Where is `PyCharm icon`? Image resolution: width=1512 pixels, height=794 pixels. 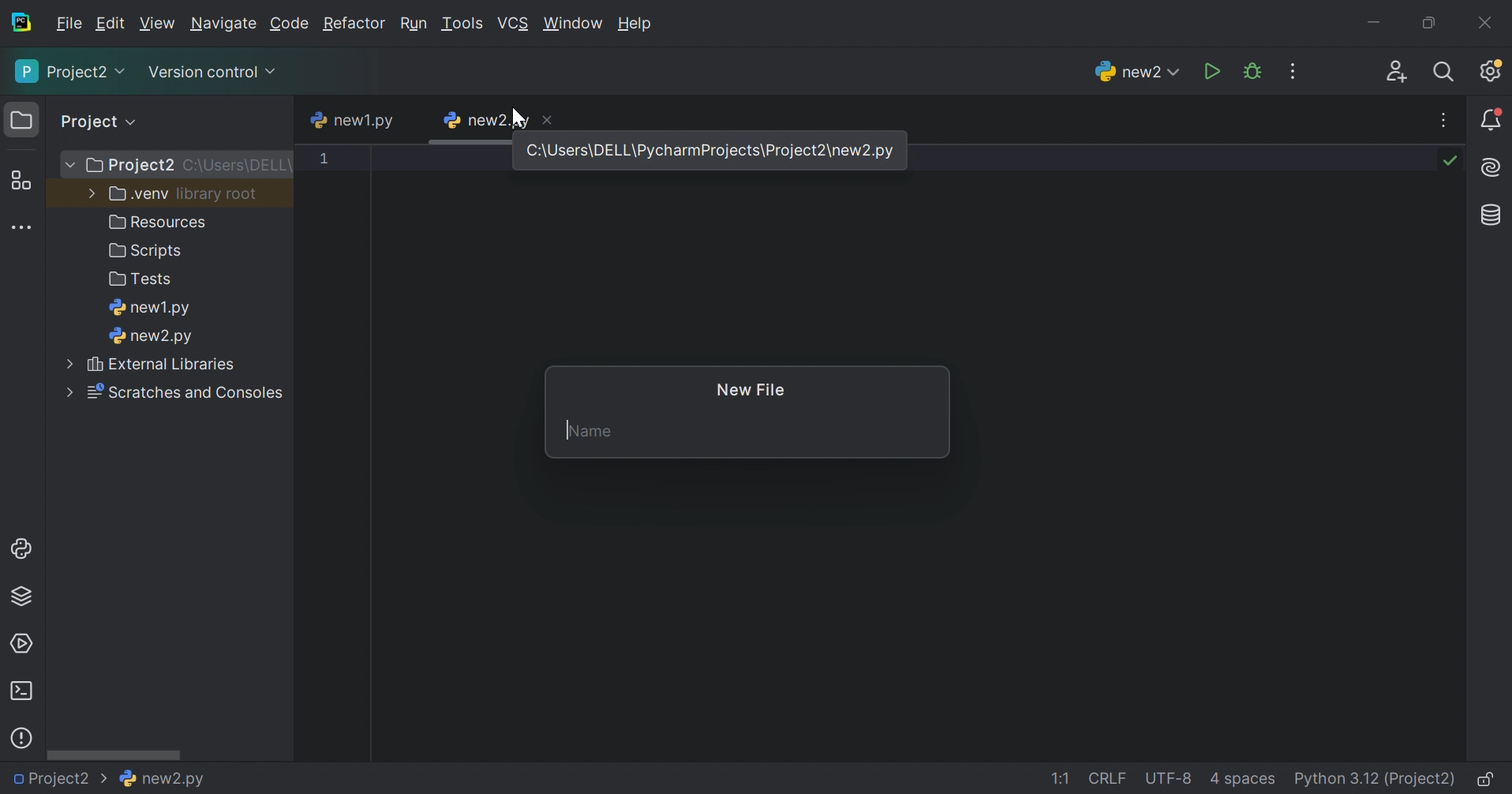 PyCharm icon is located at coordinates (24, 23).